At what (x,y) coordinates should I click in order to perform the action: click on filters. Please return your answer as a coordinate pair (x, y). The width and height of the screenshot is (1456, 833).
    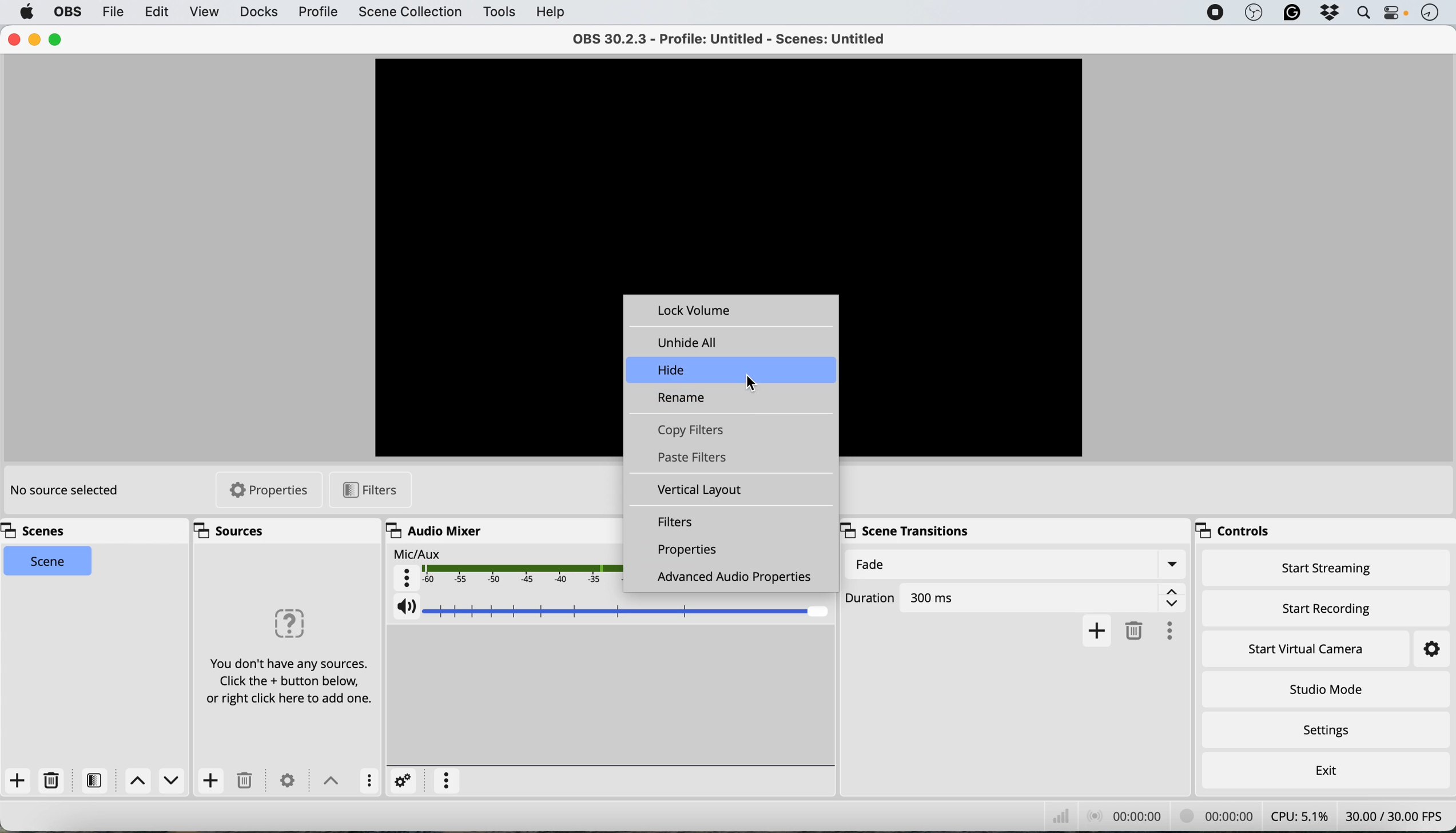
    Looking at the image, I should click on (681, 522).